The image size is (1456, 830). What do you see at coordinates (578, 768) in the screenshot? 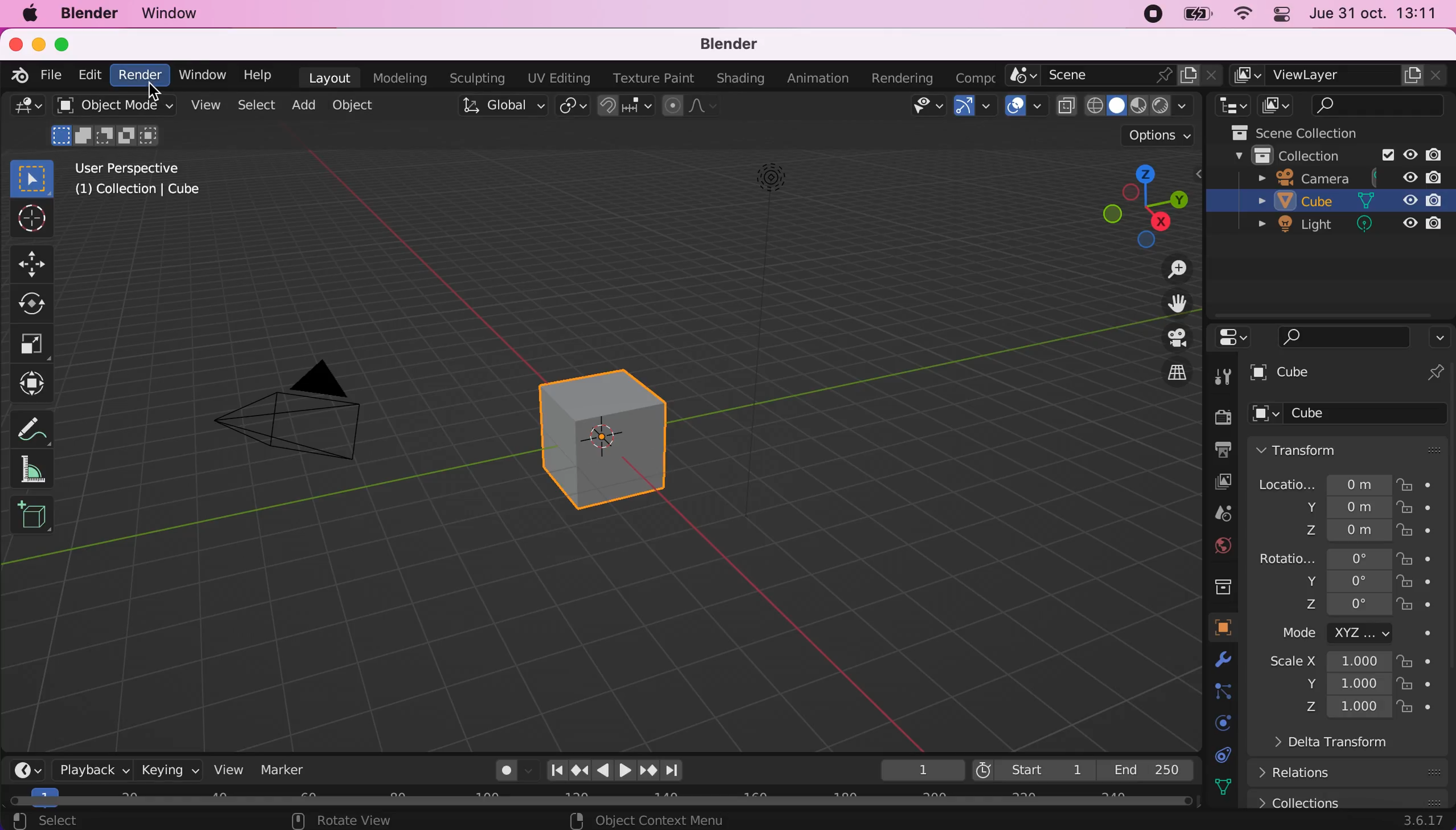
I see `Jump to previous keyframe` at bounding box center [578, 768].